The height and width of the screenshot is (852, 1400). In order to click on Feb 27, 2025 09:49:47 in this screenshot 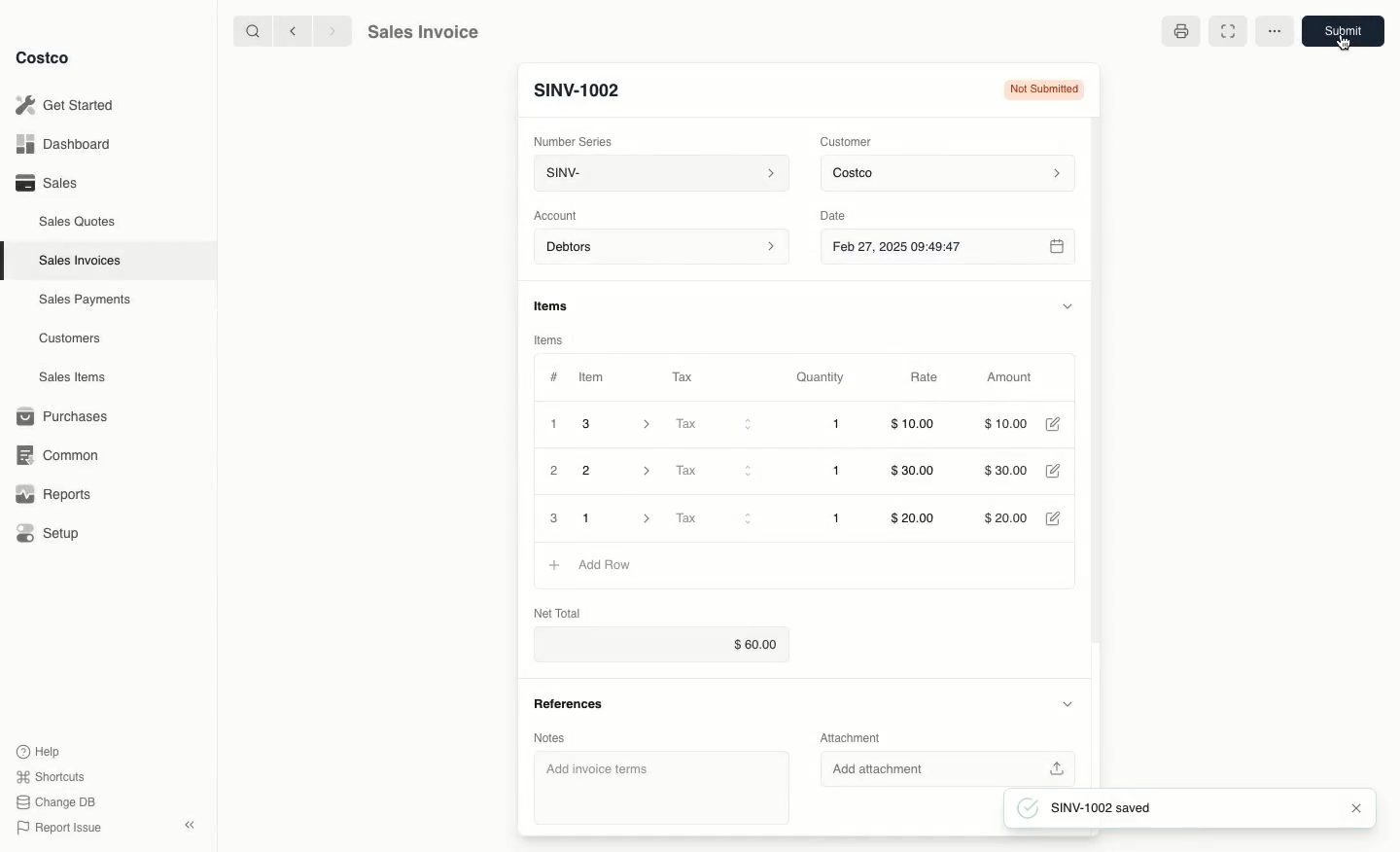, I will do `click(947, 246)`.